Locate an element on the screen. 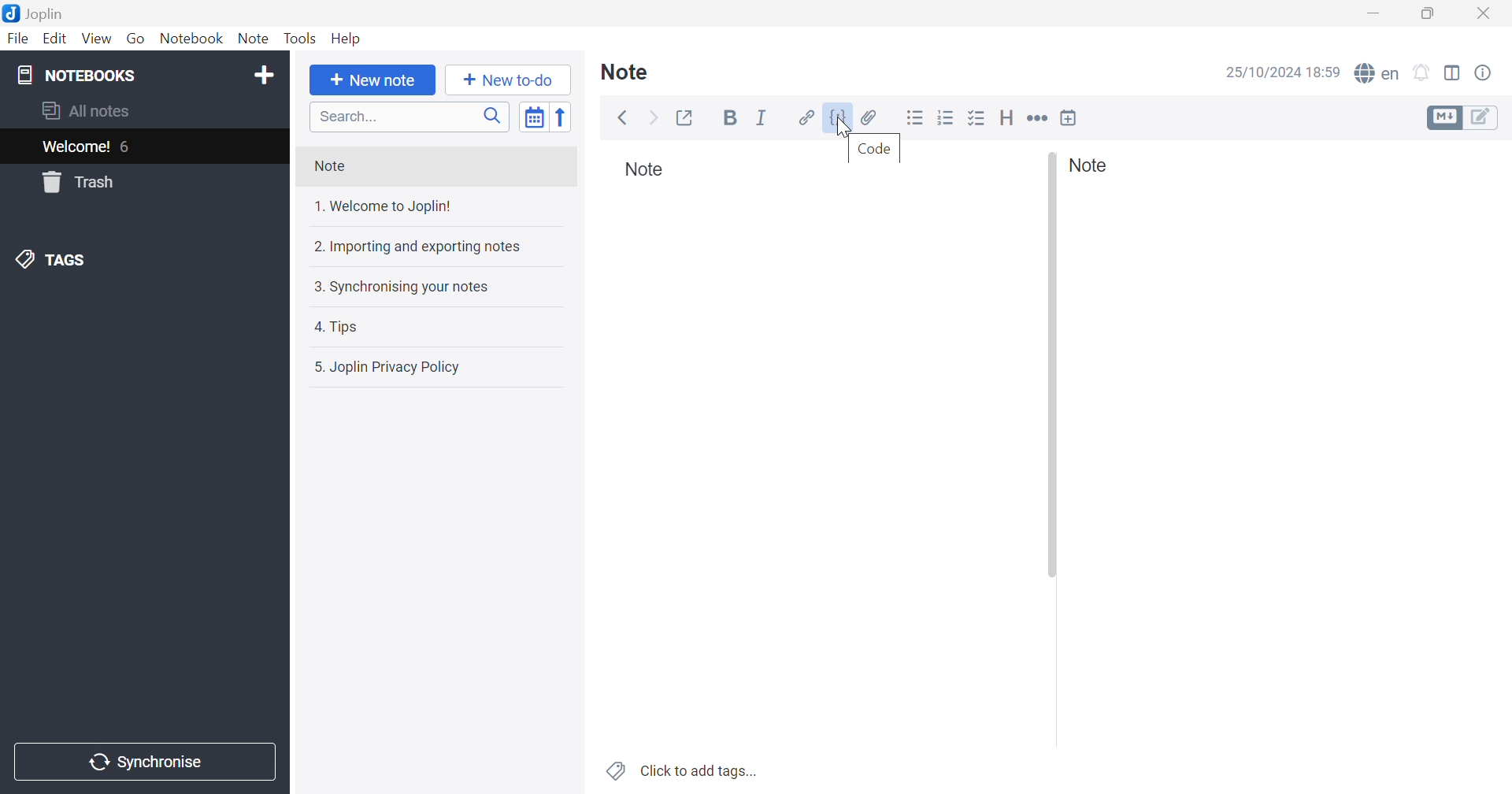 This screenshot has height=794, width=1512. Checkbox is located at coordinates (976, 118).